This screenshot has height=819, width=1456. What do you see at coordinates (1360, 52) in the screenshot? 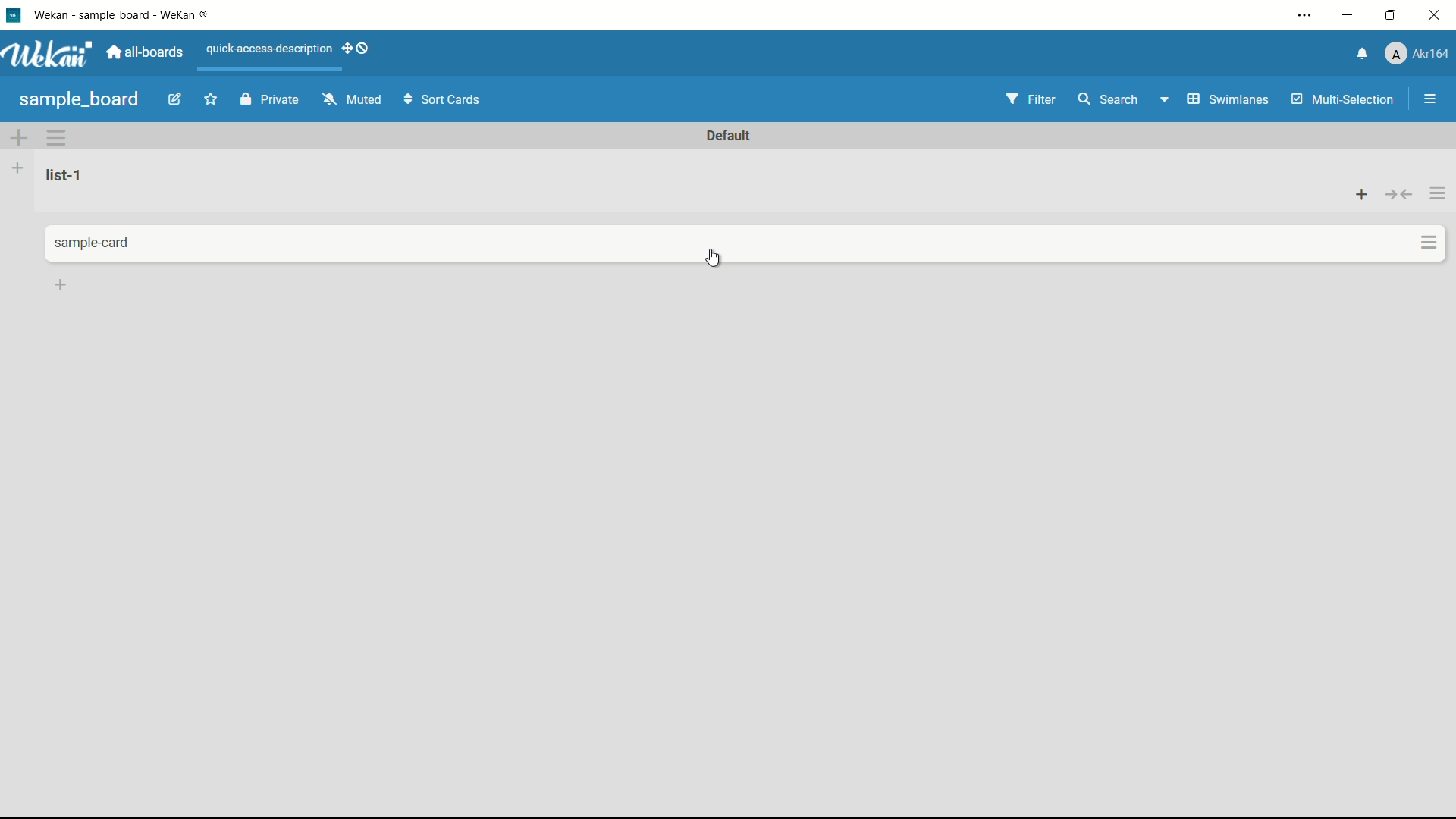
I see `notifications` at bounding box center [1360, 52].